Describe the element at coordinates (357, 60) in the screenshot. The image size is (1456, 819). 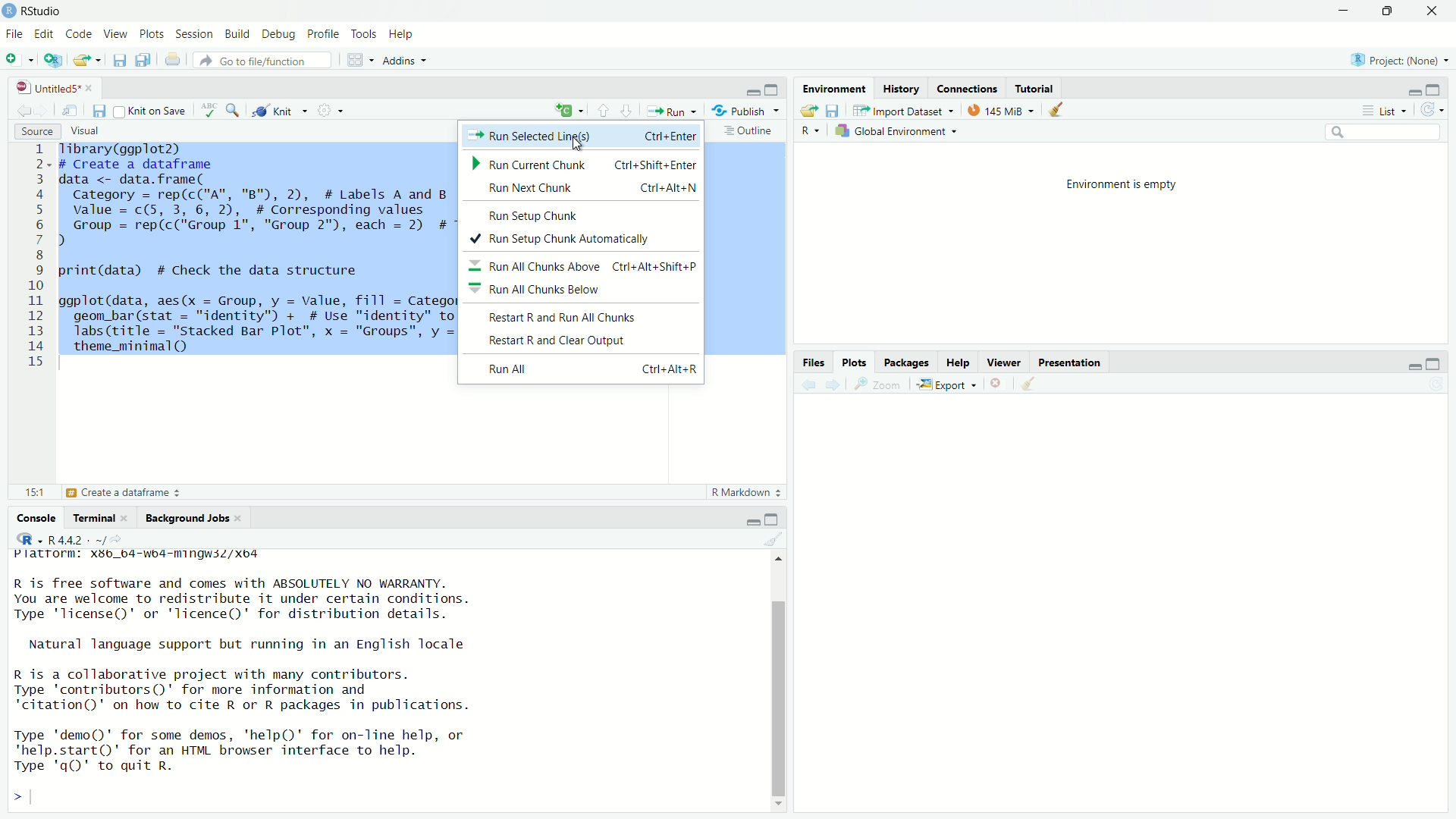
I see `Workspace panes` at that location.